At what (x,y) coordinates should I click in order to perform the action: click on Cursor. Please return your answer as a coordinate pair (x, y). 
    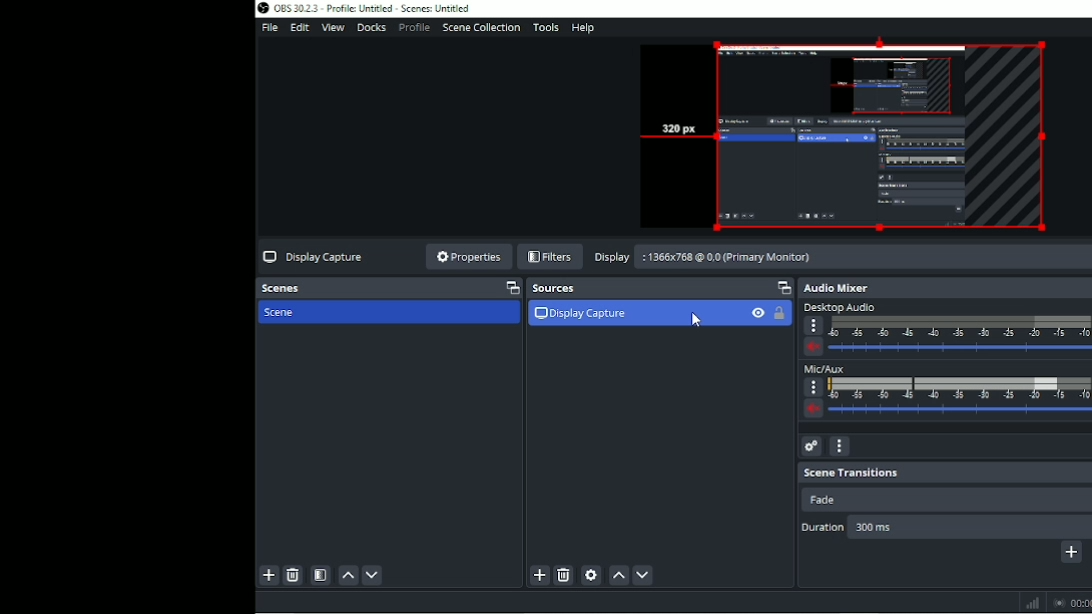
    Looking at the image, I should click on (696, 320).